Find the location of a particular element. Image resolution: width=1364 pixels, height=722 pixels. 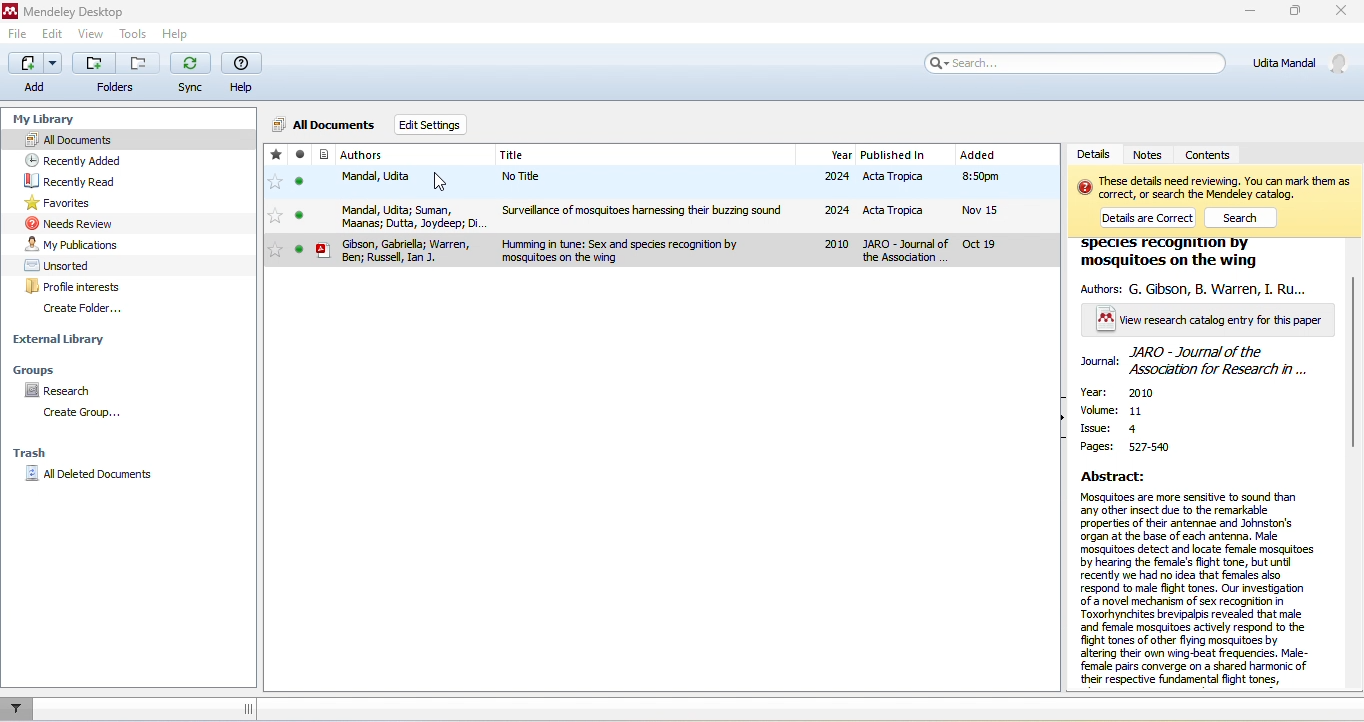

all documents is located at coordinates (127, 140).